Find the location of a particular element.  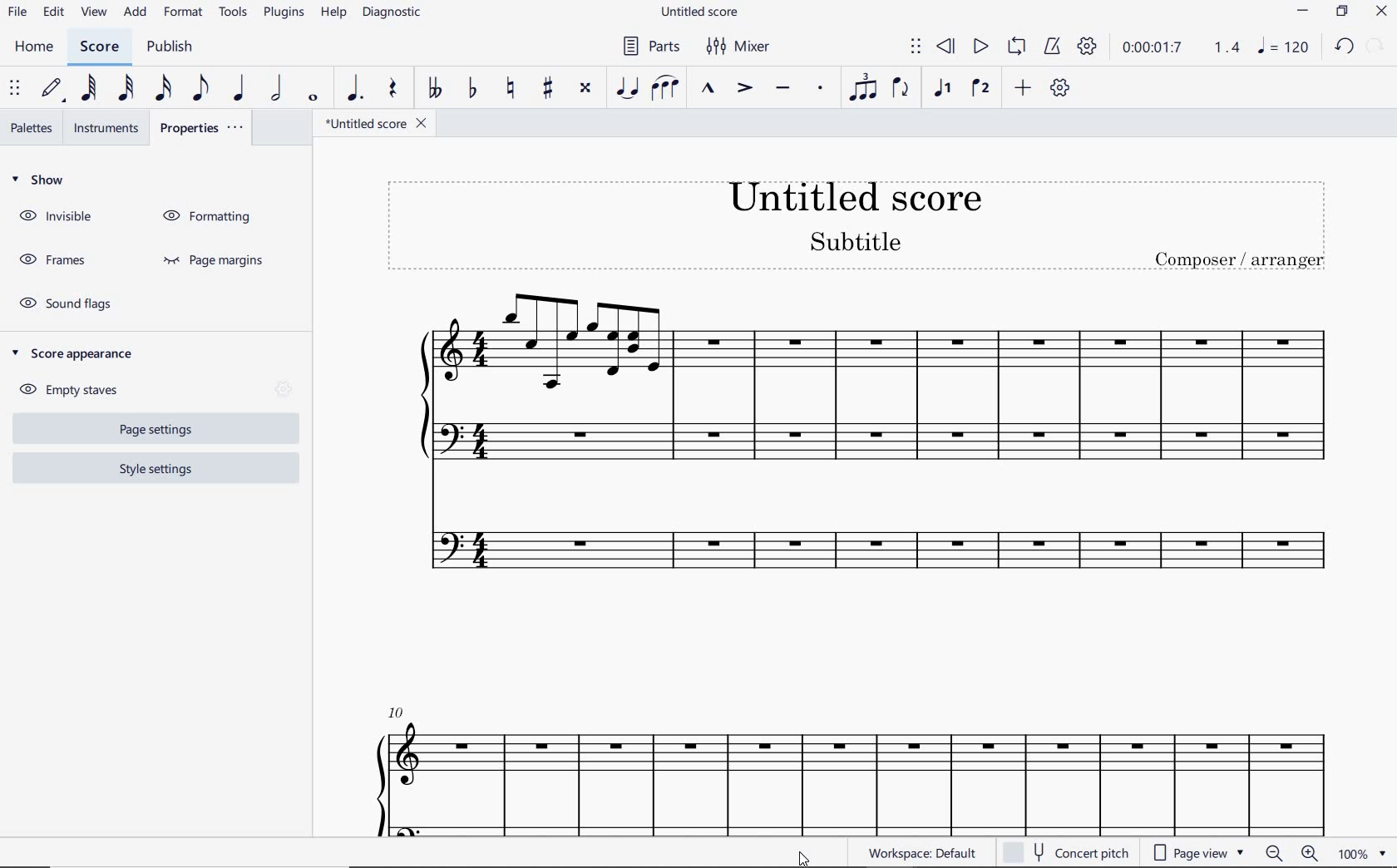

TOGGLE NATURAL is located at coordinates (514, 87).